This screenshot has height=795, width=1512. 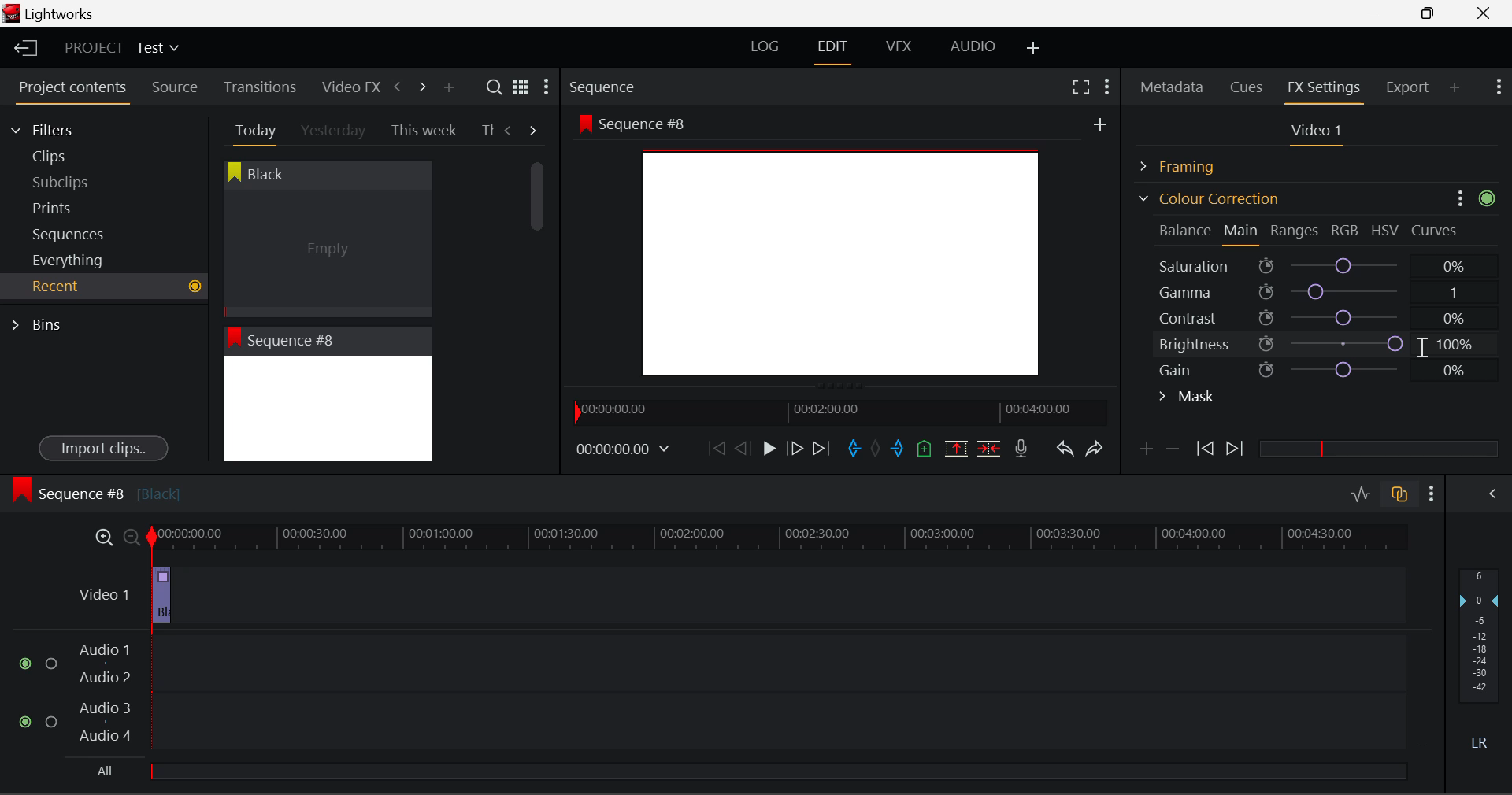 I want to click on Brightness, so click(x=1318, y=341).